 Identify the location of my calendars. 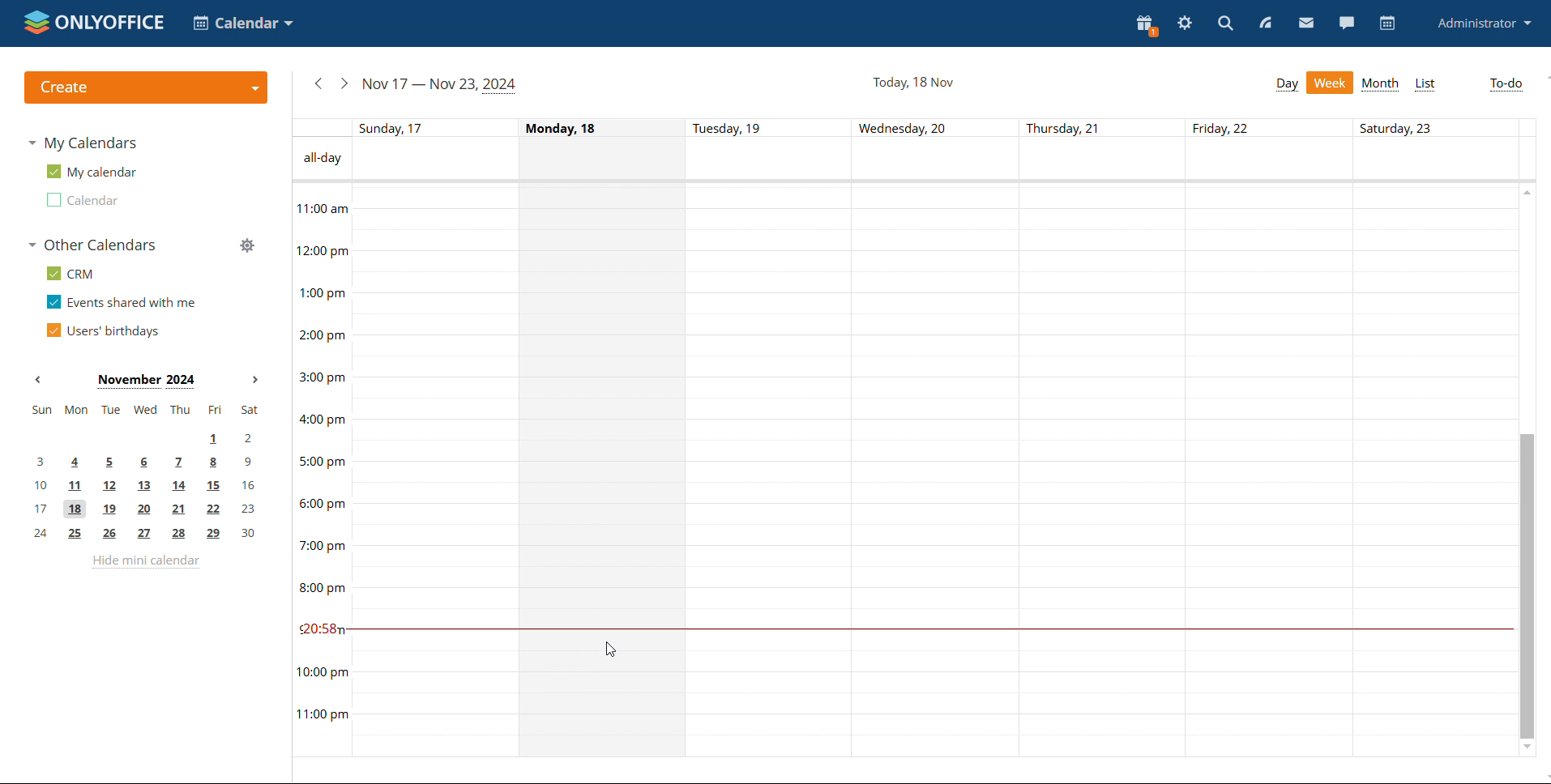
(82, 143).